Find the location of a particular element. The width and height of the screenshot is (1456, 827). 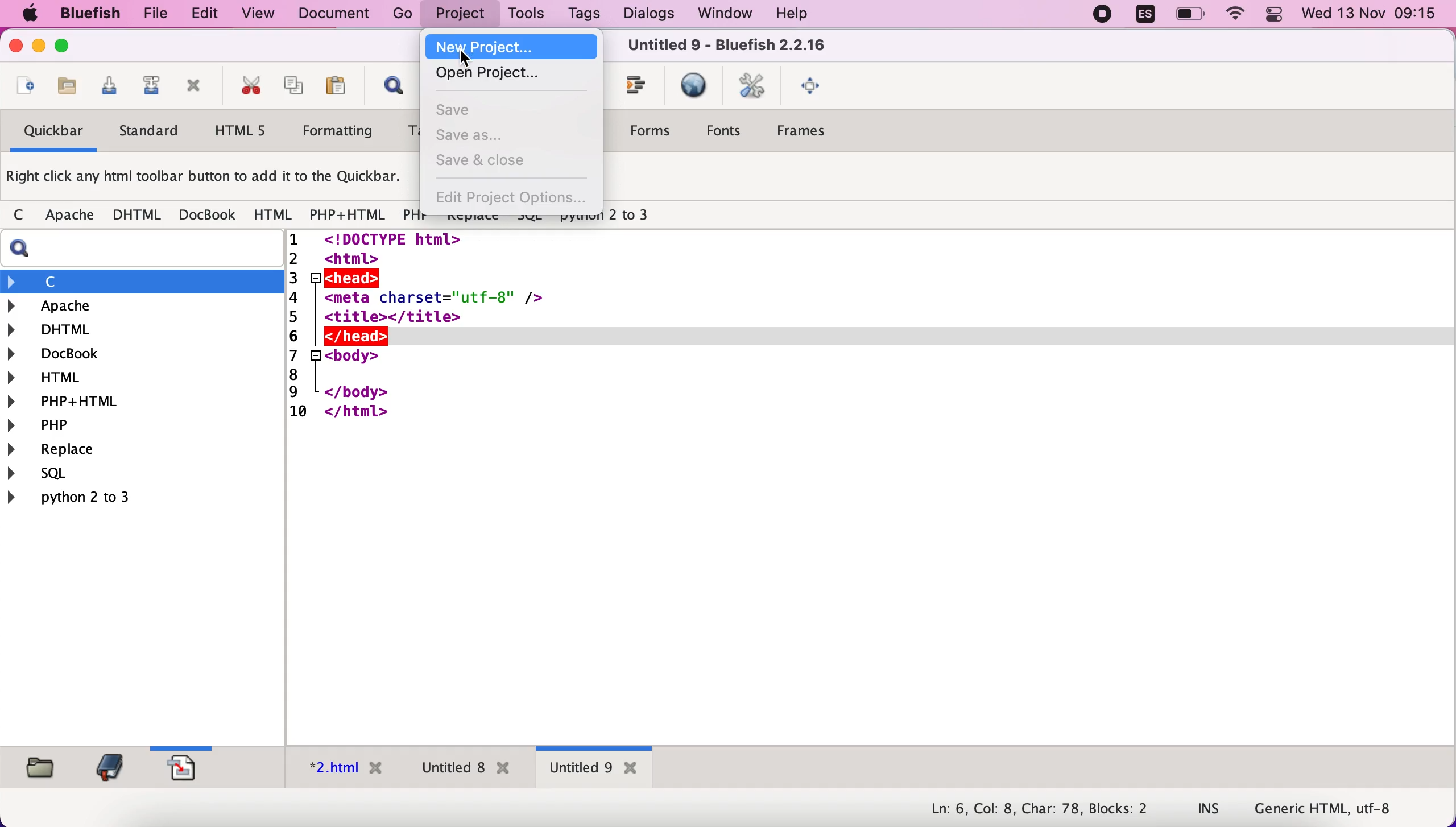

apache is located at coordinates (67, 216).